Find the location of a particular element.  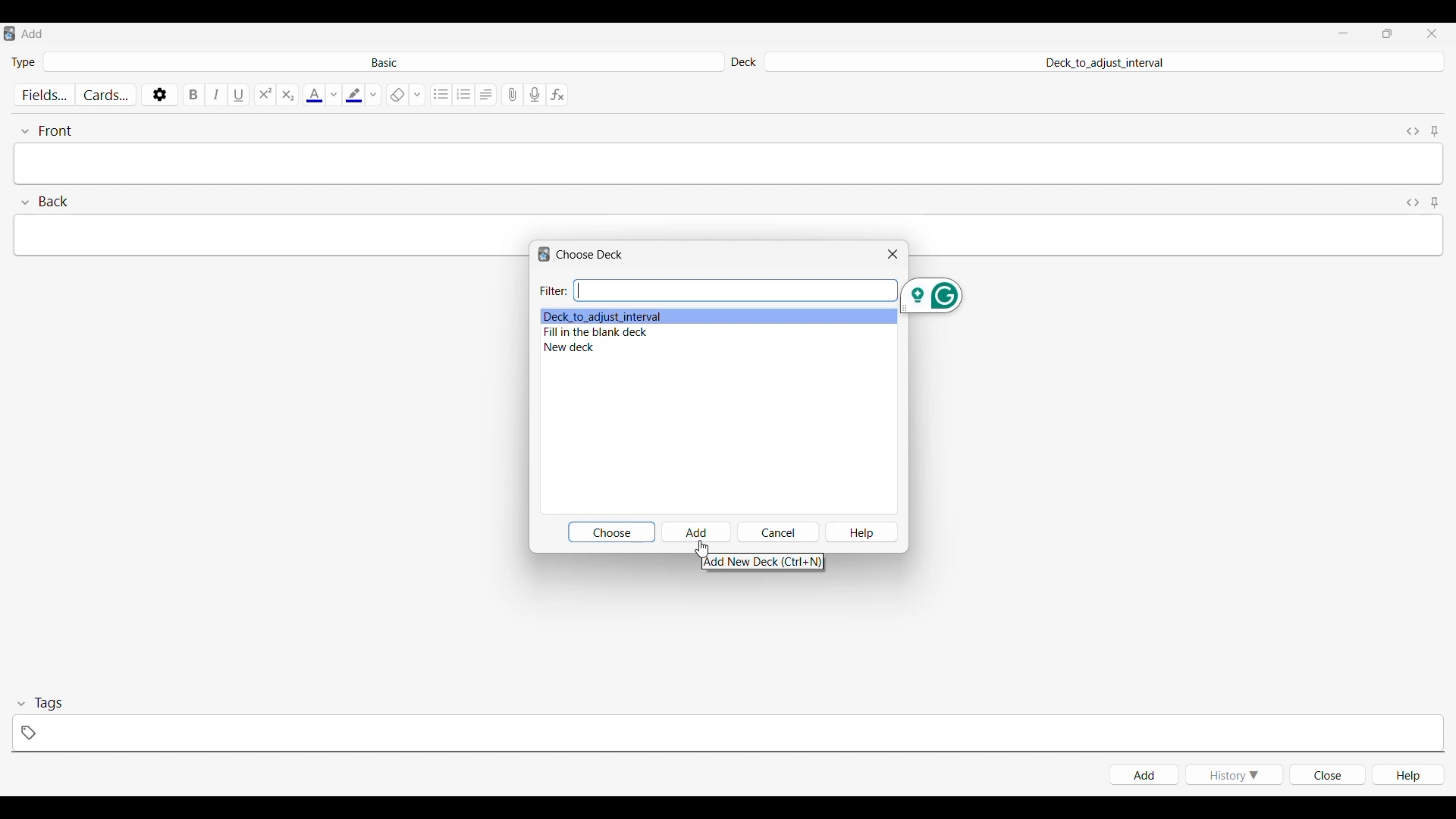

Selected text color is located at coordinates (313, 95).